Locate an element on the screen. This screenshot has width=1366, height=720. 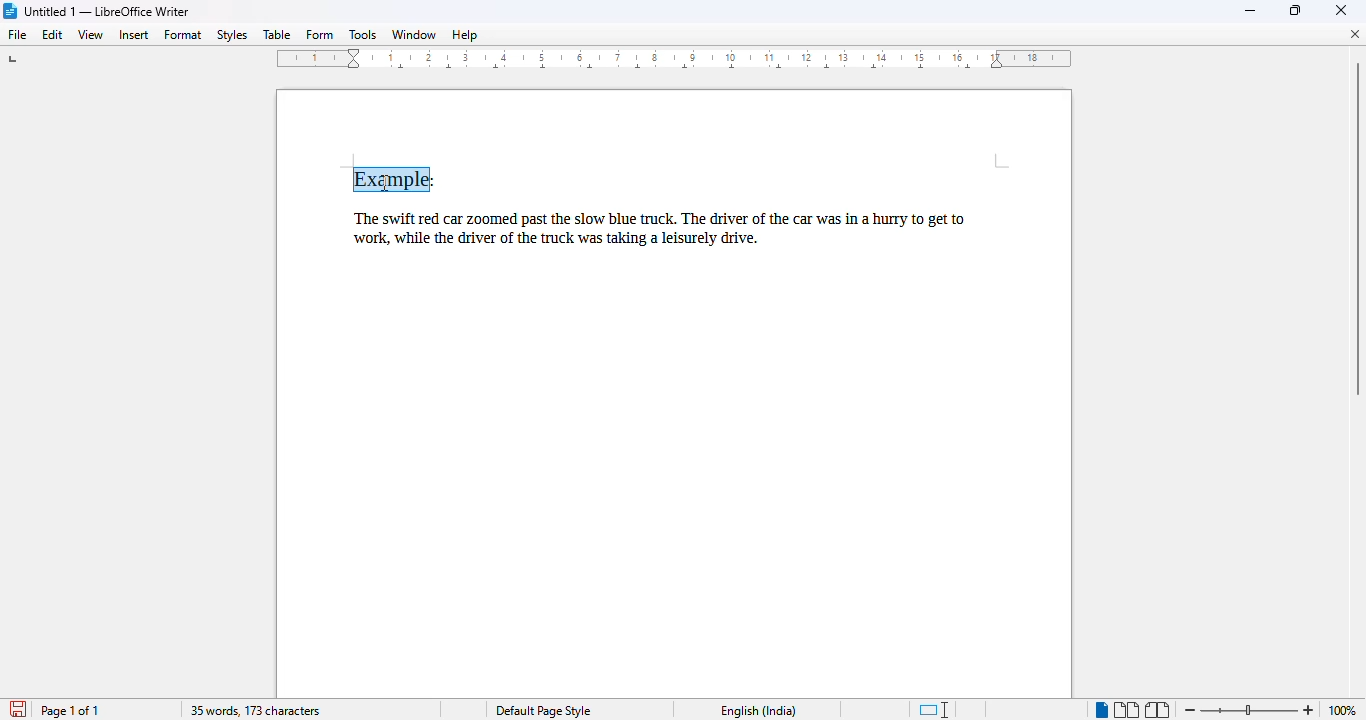
Zoom in is located at coordinates (1310, 707).